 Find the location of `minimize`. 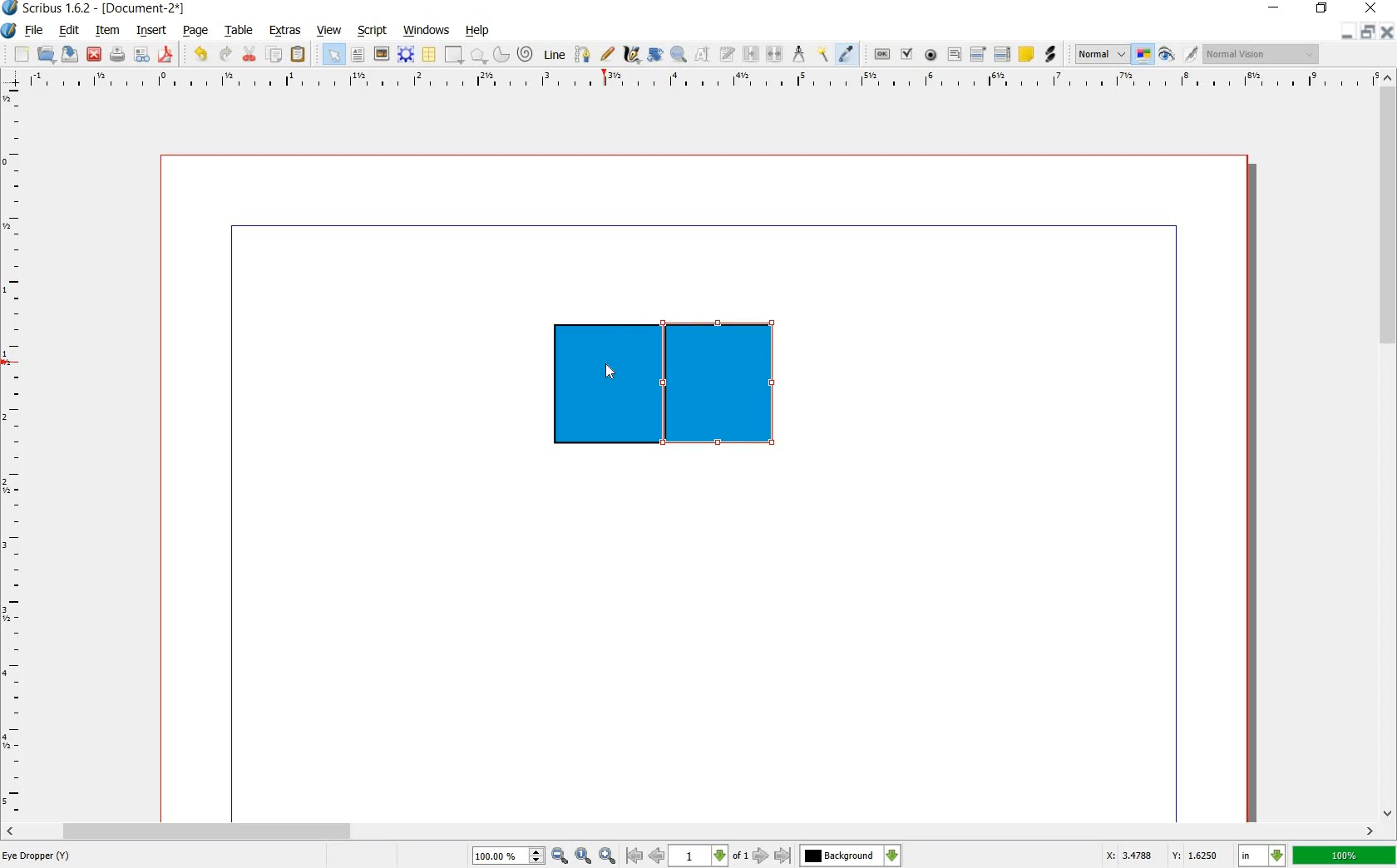

minimize is located at coordinates (1349, 32).